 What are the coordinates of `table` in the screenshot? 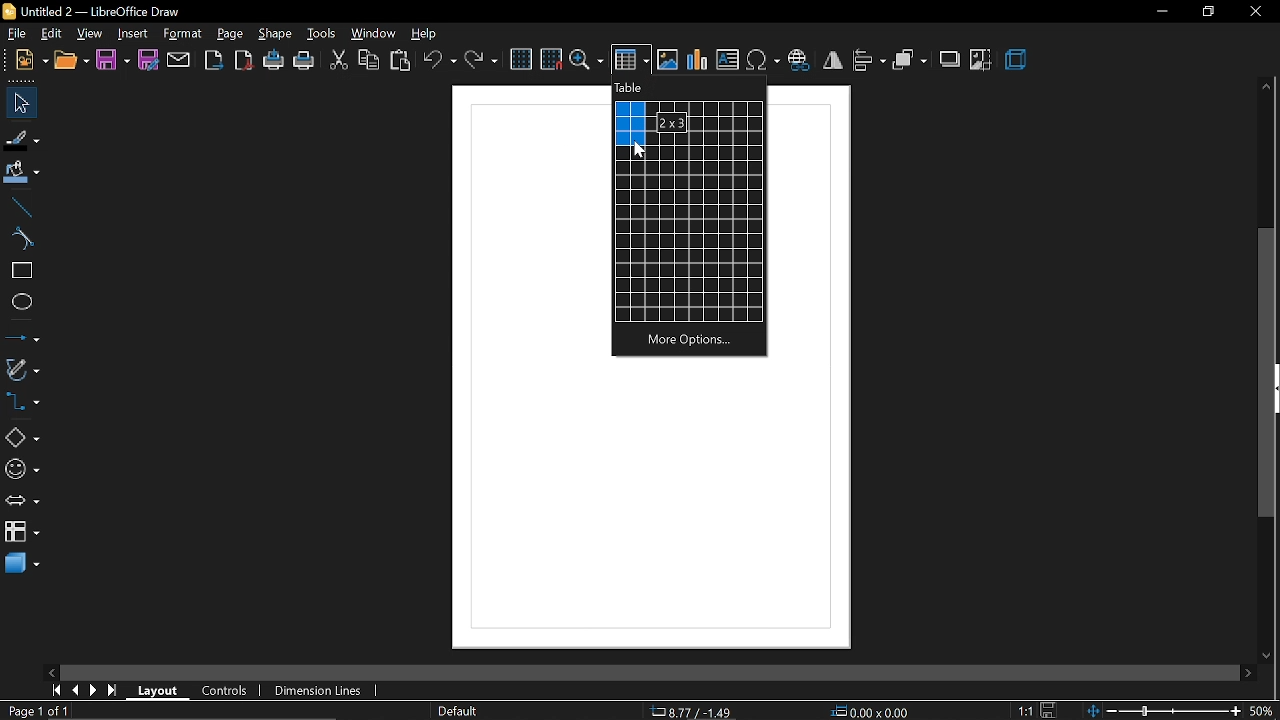 It's located at (631, 86).